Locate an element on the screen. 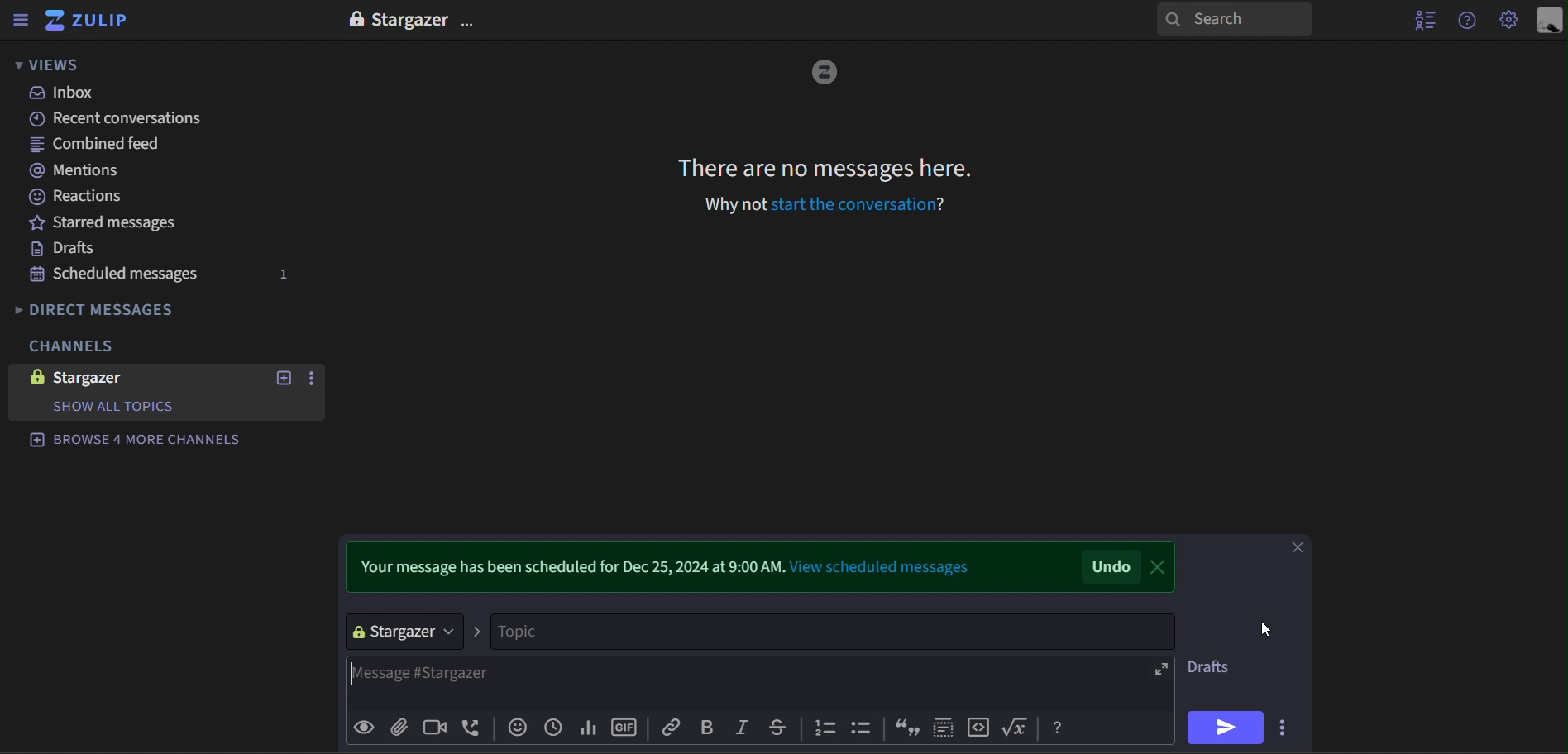  preview is located at coordinates (365, 727).